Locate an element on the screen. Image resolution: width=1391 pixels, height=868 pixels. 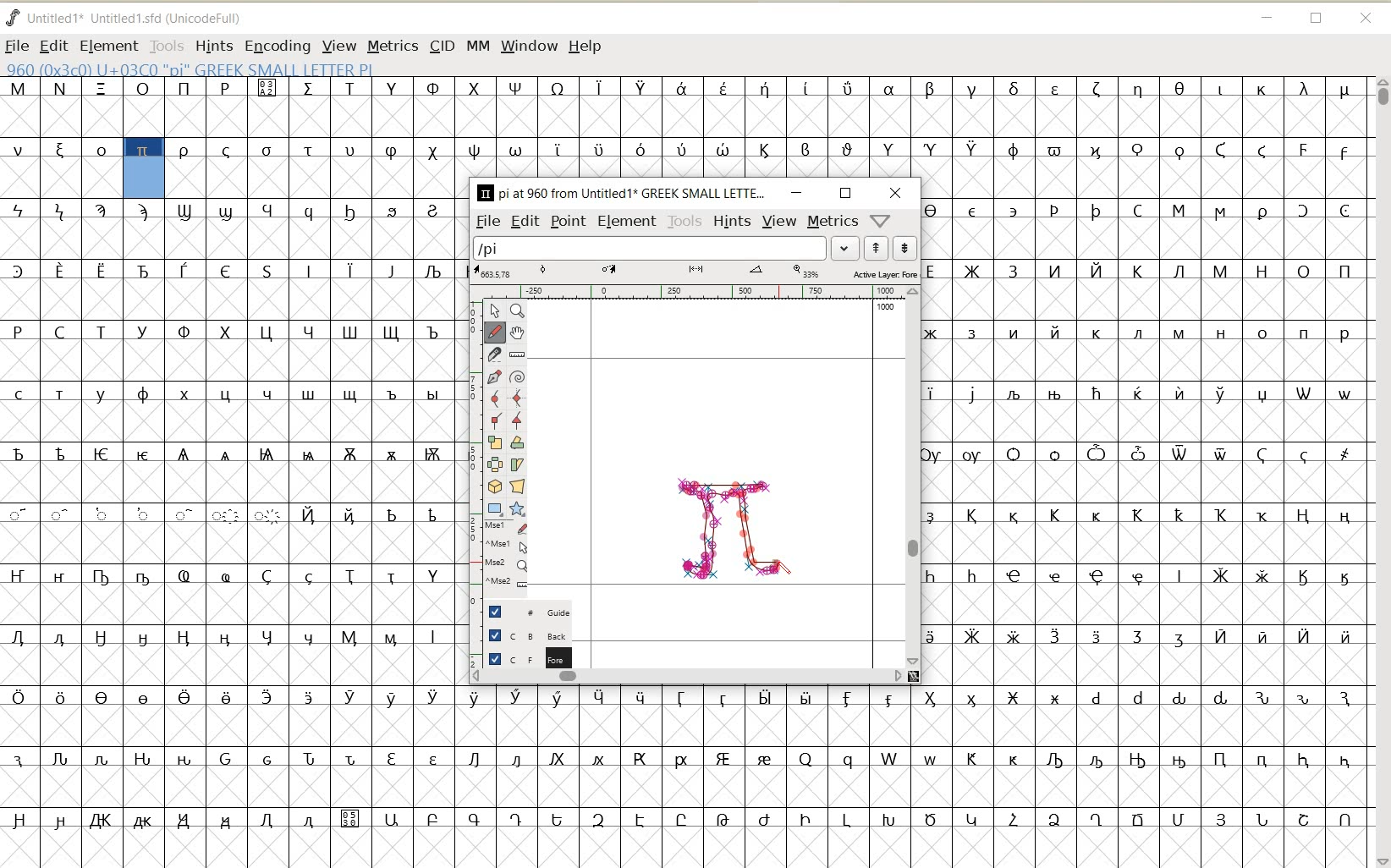
VIEW is located at coordinates (779, 222).